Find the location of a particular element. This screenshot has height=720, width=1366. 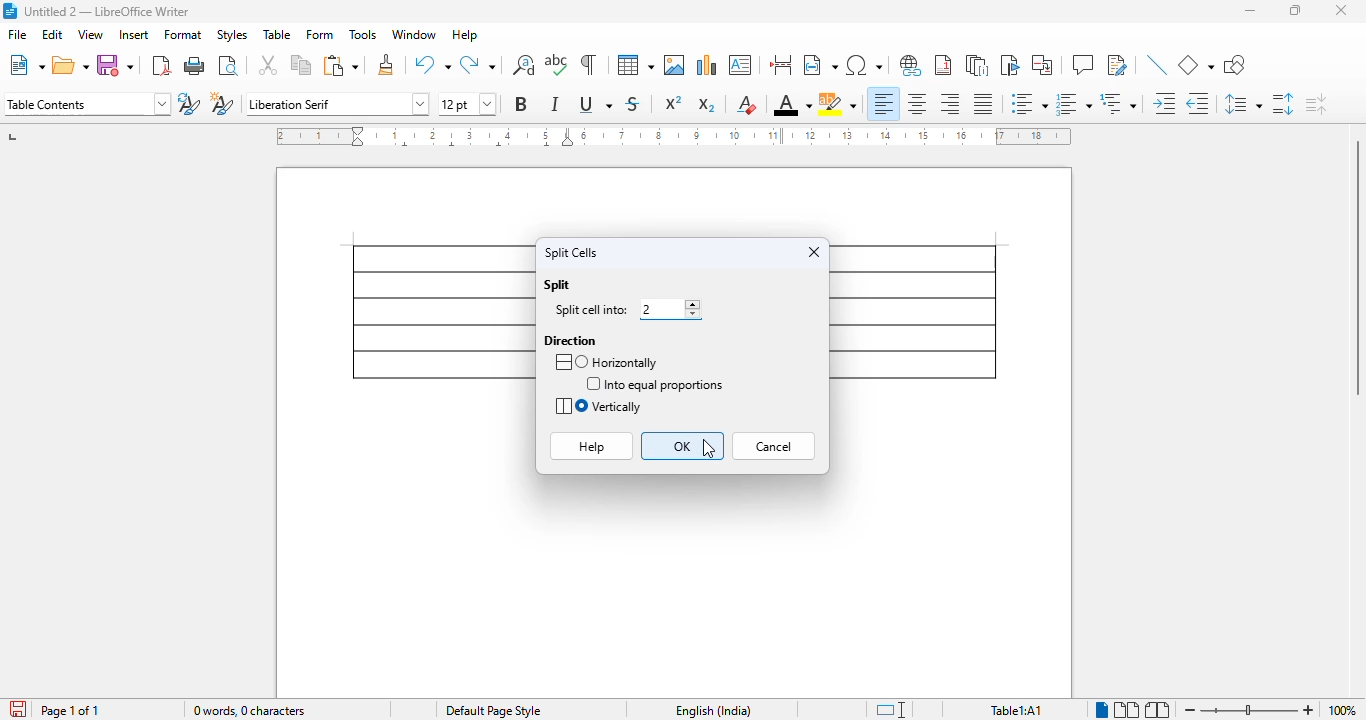

insert endnote is located at coordinates (978, 65).